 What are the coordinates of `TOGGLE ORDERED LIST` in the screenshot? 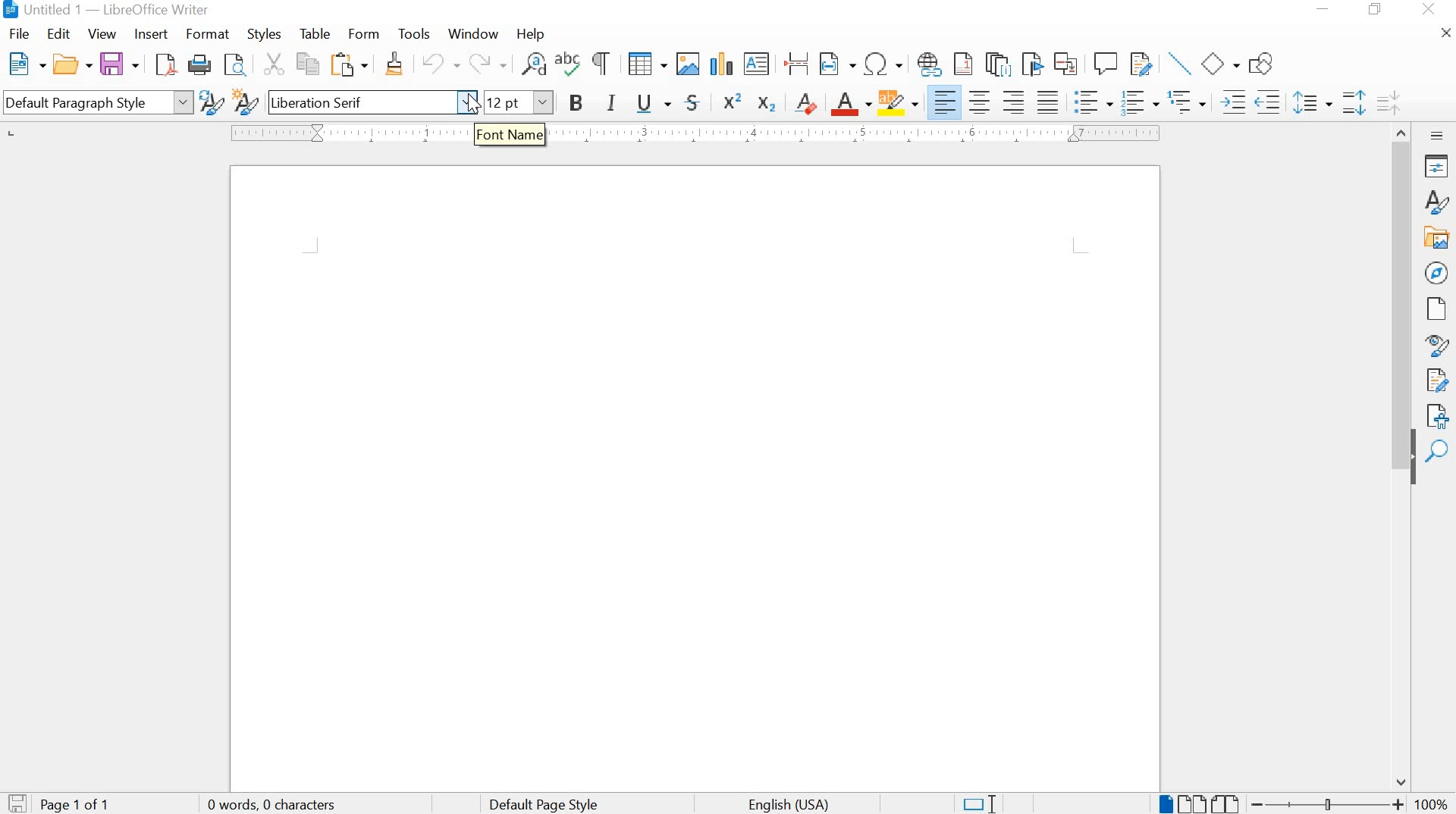 It's located at (1141, 102).